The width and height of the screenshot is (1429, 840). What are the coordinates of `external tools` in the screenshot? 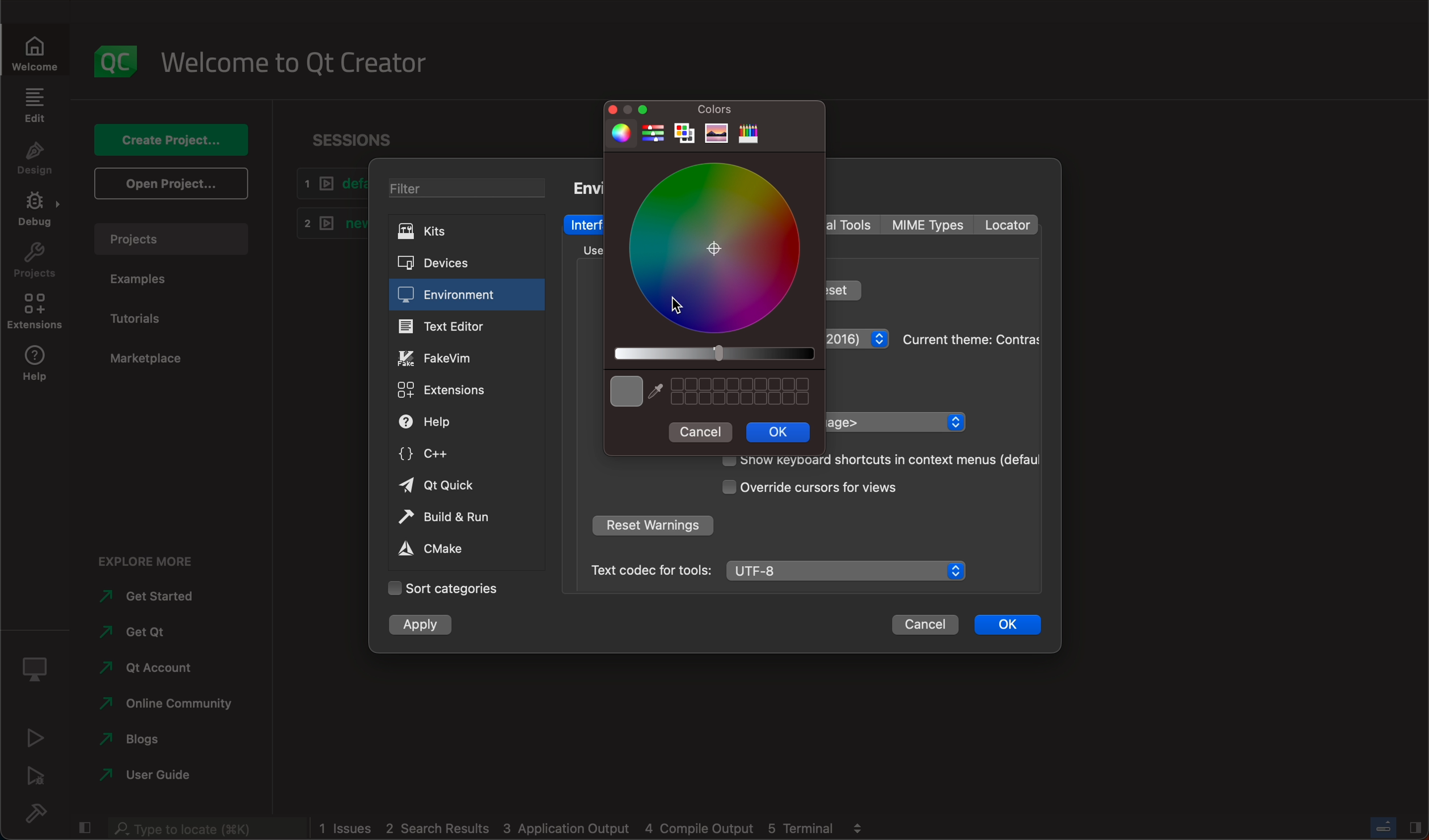 It's located at (852, 224).